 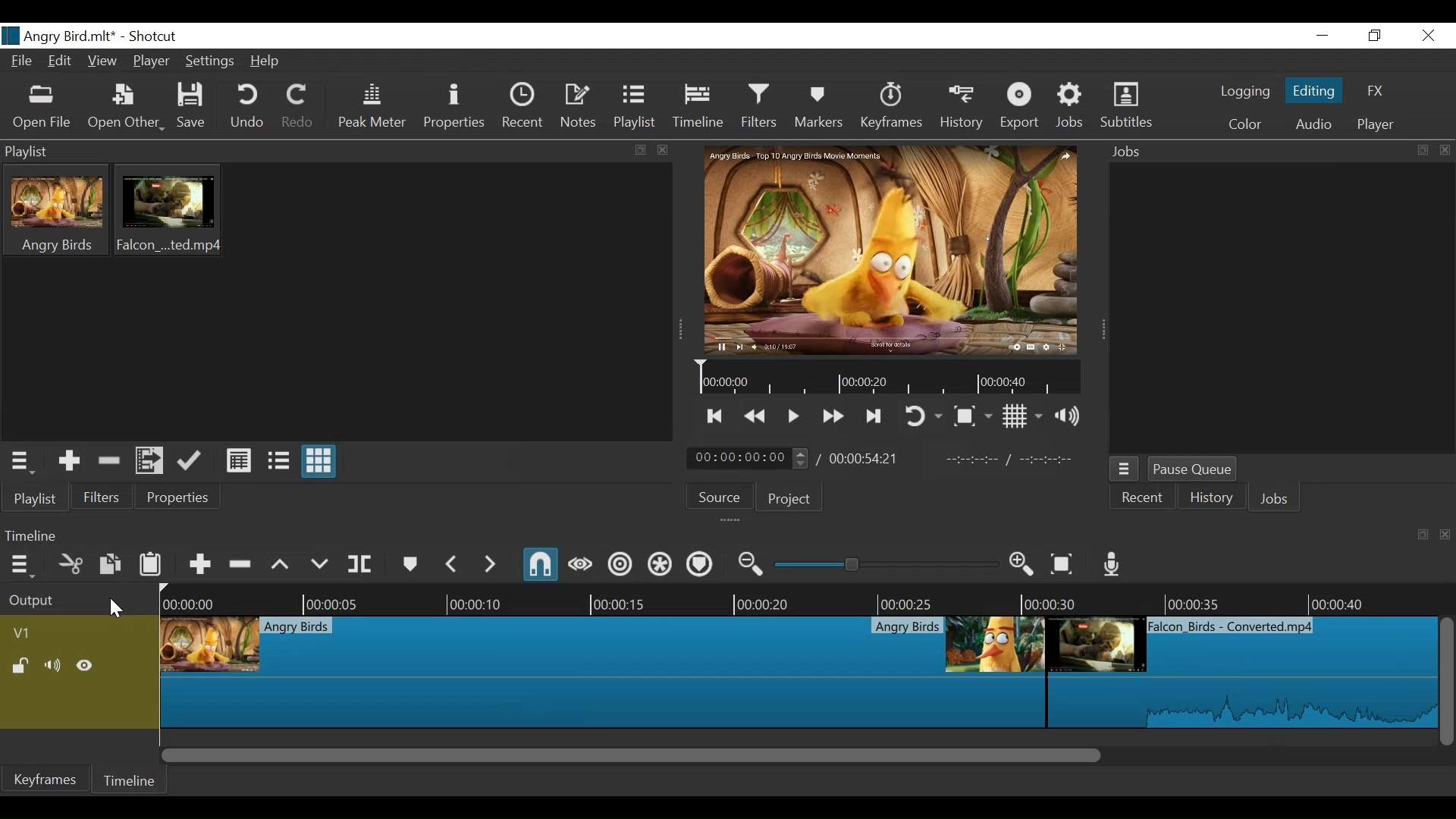 What do you see at coordinates (58, 36) in the screenshot?
I see `Project Name` at bounding box center [58, 36].